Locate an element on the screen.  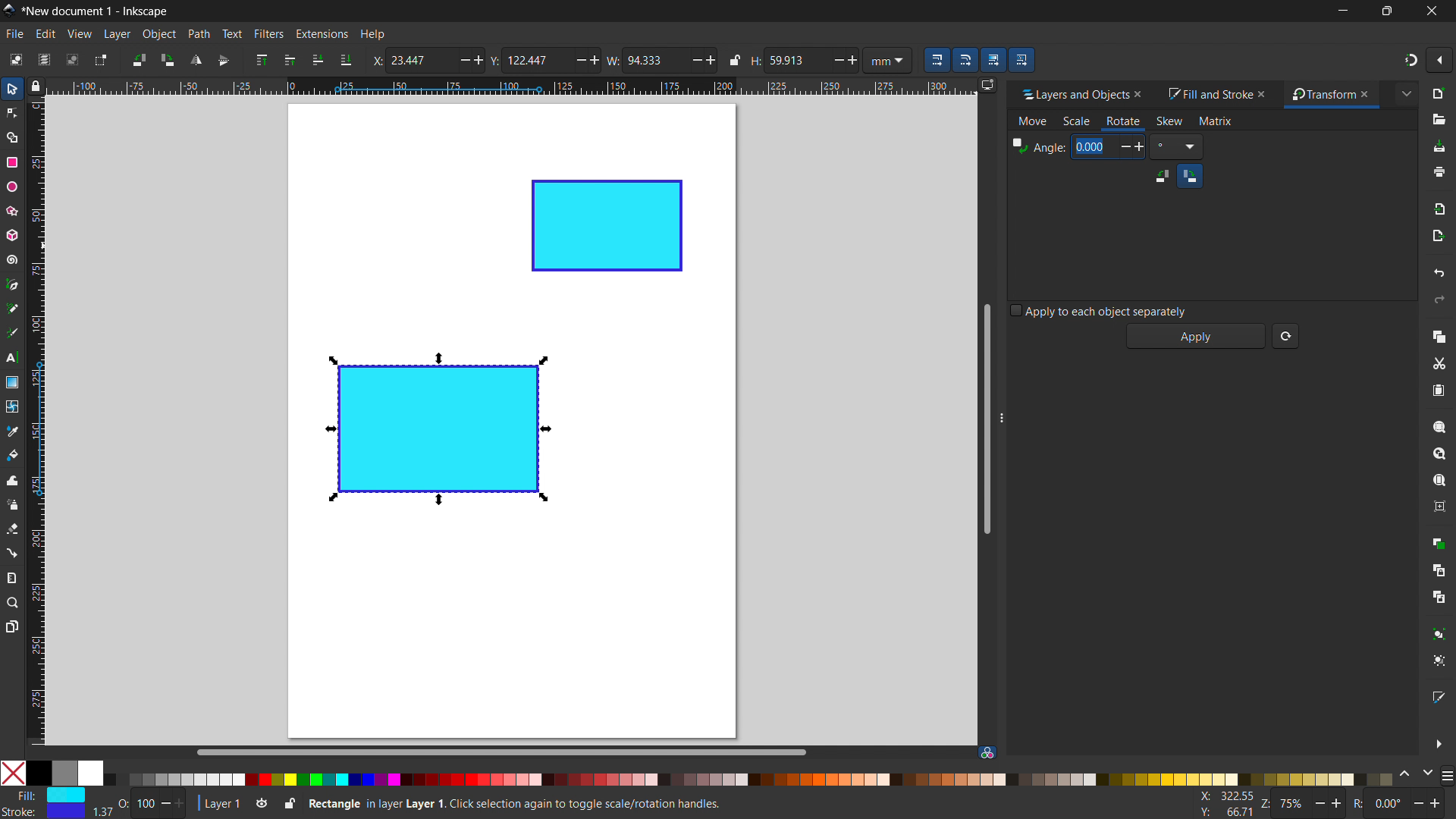
duplicate is located at coordinates (1438, 542).